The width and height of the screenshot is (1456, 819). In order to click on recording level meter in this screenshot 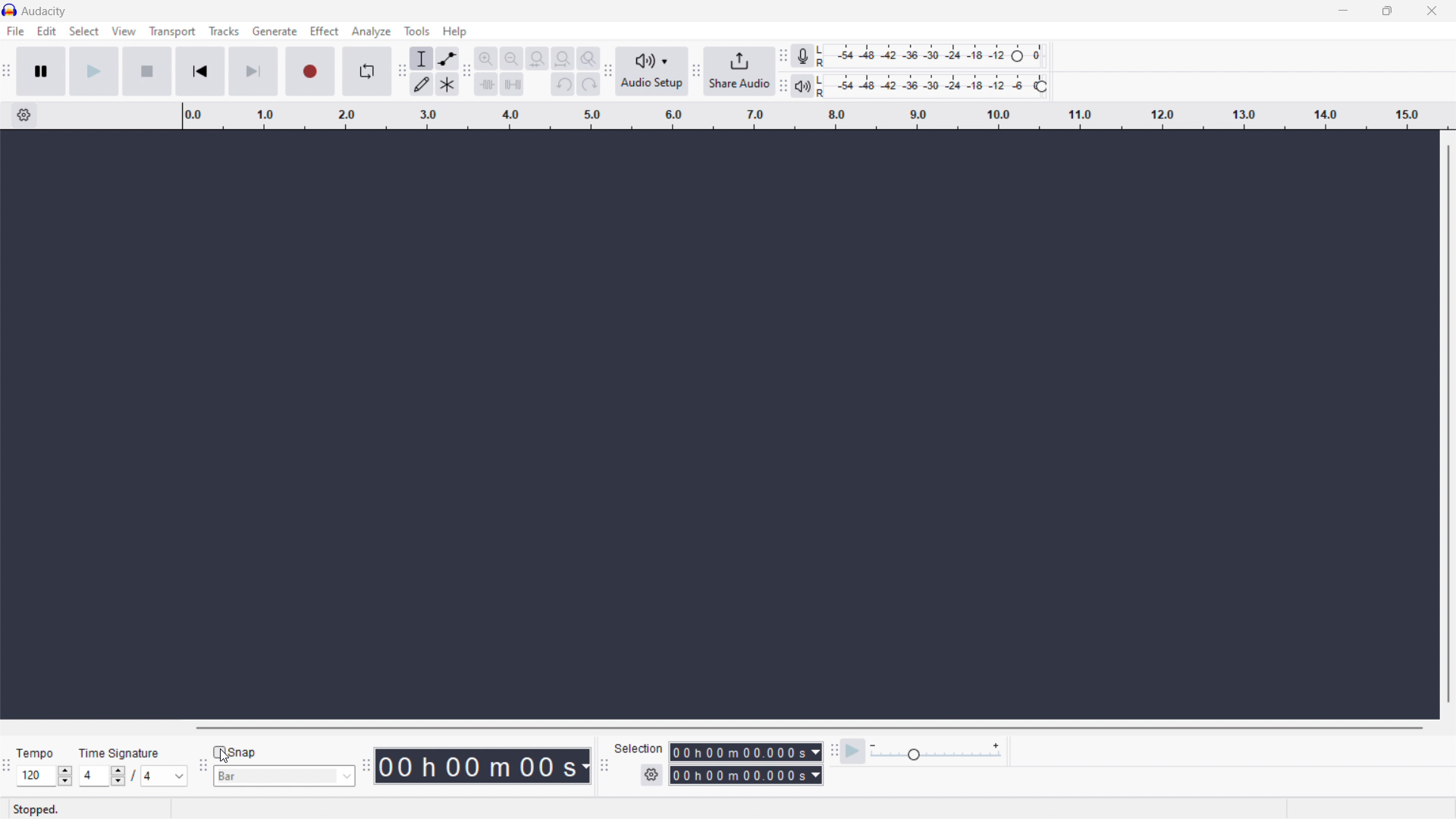, I will do `click(933, 56)`.